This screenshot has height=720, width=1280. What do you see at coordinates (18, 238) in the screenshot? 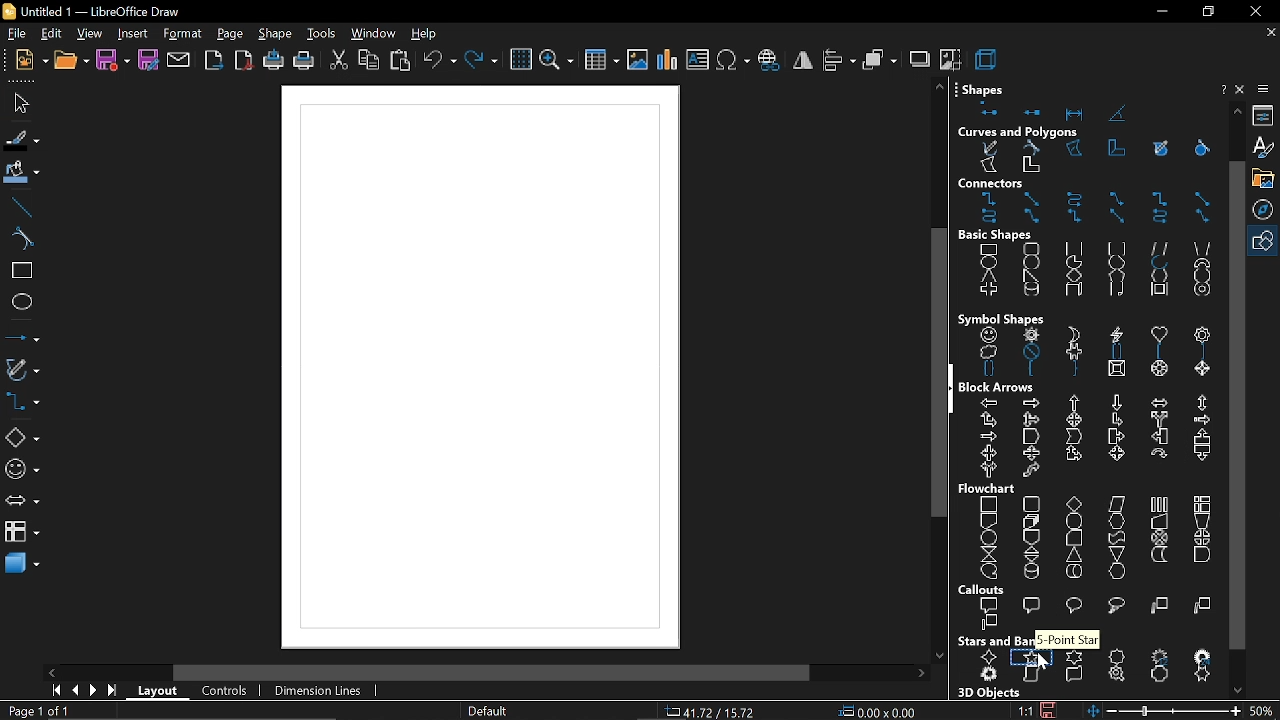
I see `curve` at bounding box center [18, 238].